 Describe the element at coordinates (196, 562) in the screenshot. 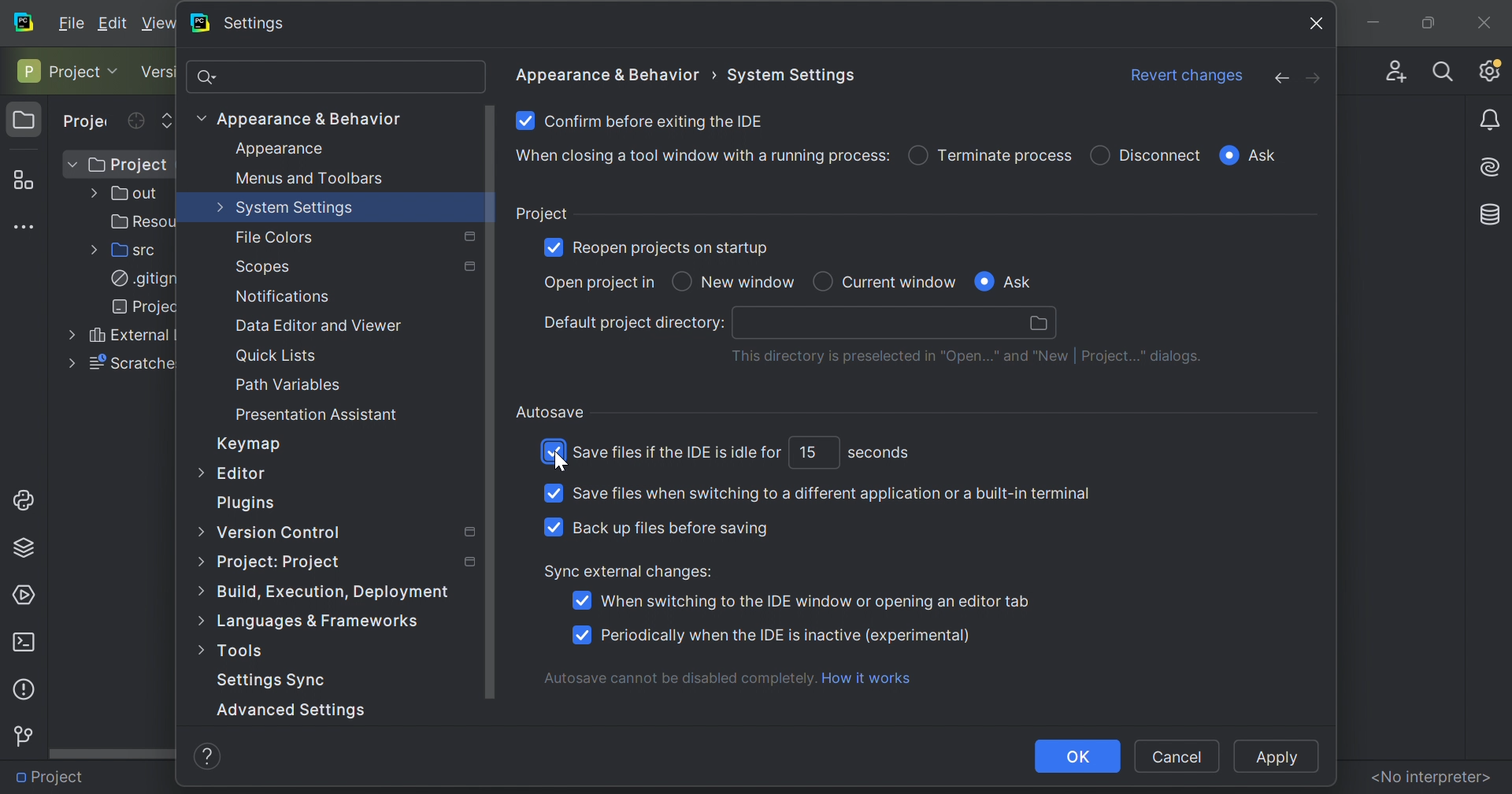

I see `More` at that location.